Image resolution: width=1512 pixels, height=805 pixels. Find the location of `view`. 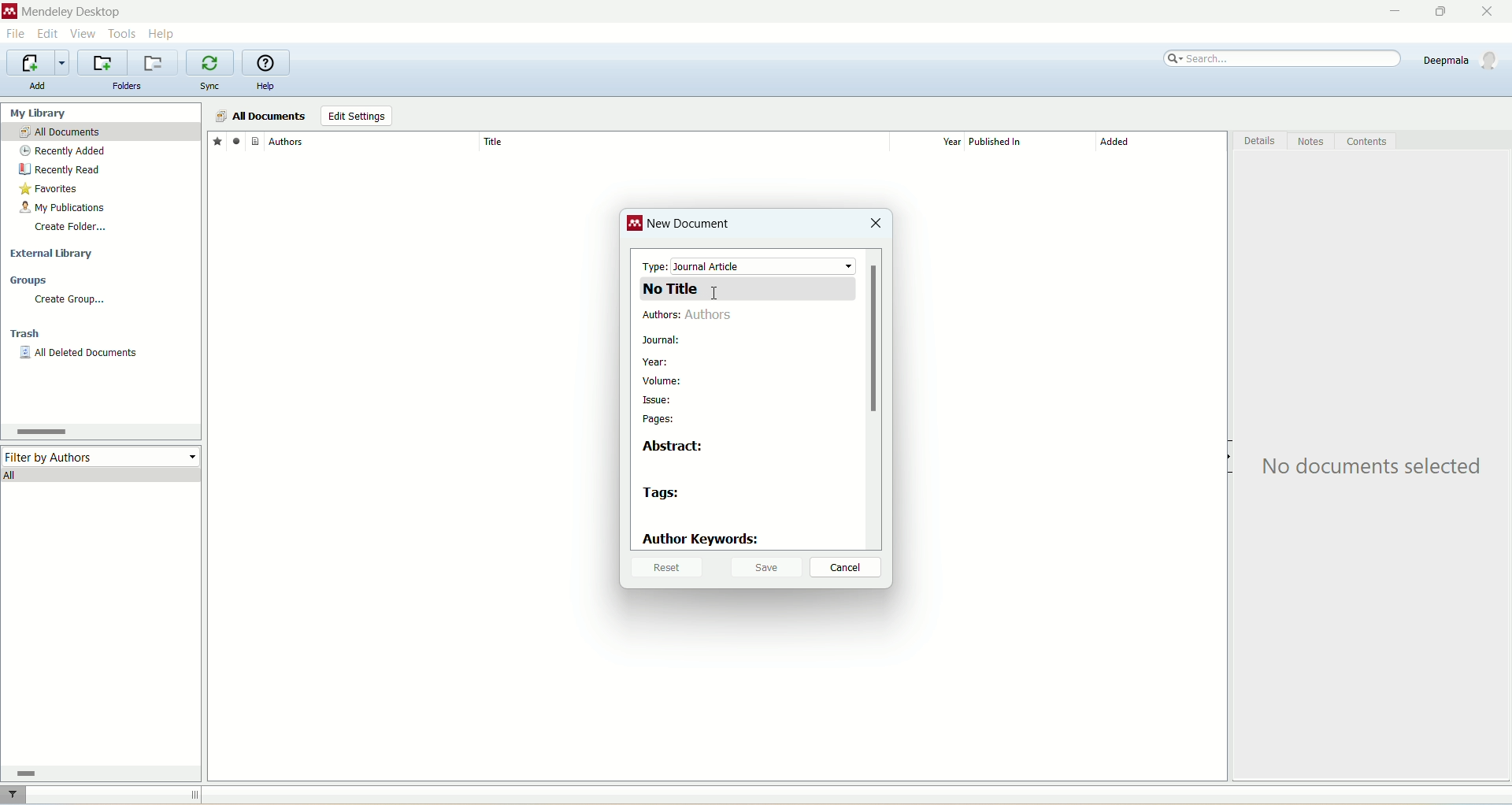

view is located at coordinates (84, 34).